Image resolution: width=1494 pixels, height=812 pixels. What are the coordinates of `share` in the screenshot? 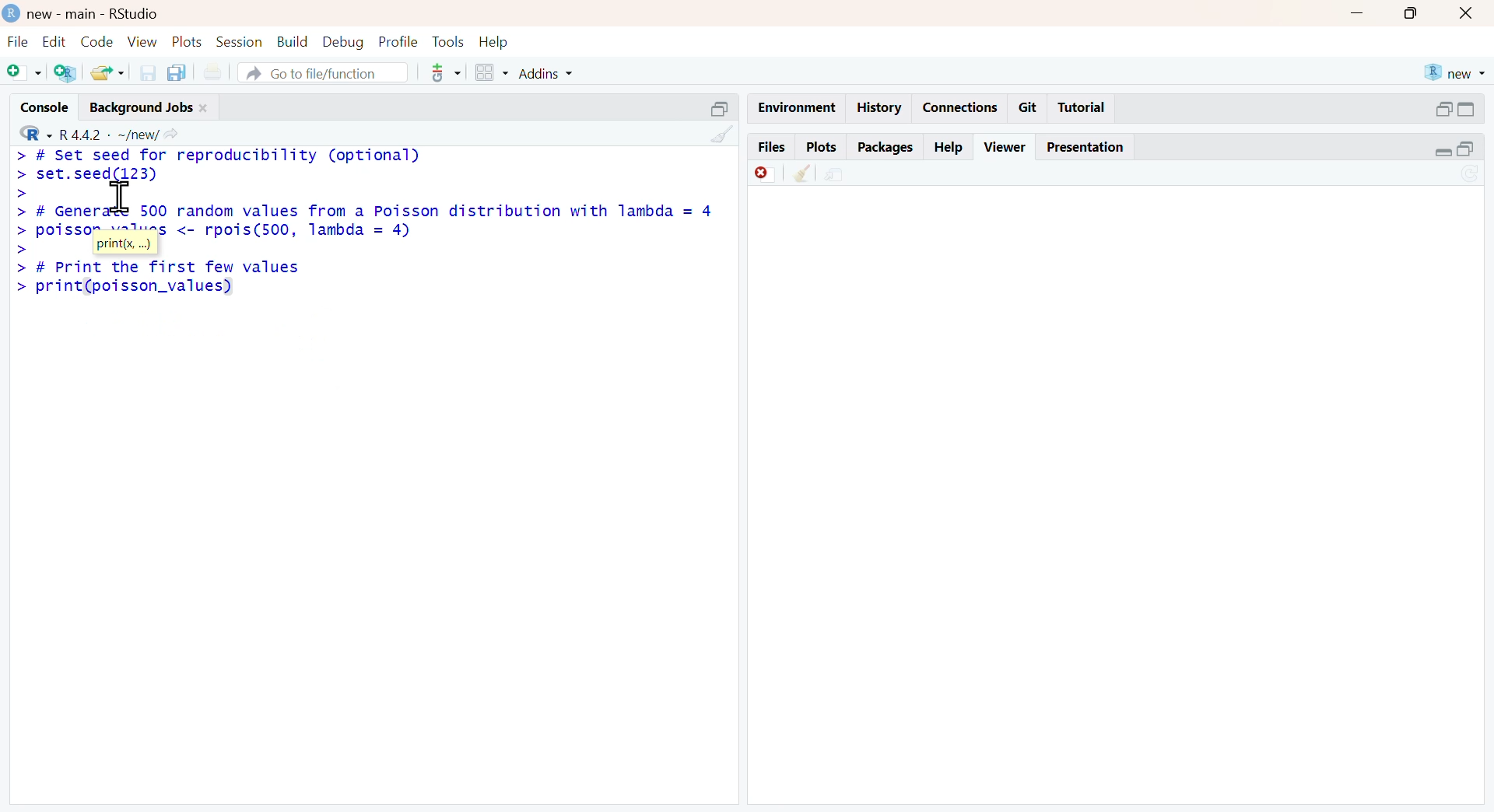 It's located at (833, 174).